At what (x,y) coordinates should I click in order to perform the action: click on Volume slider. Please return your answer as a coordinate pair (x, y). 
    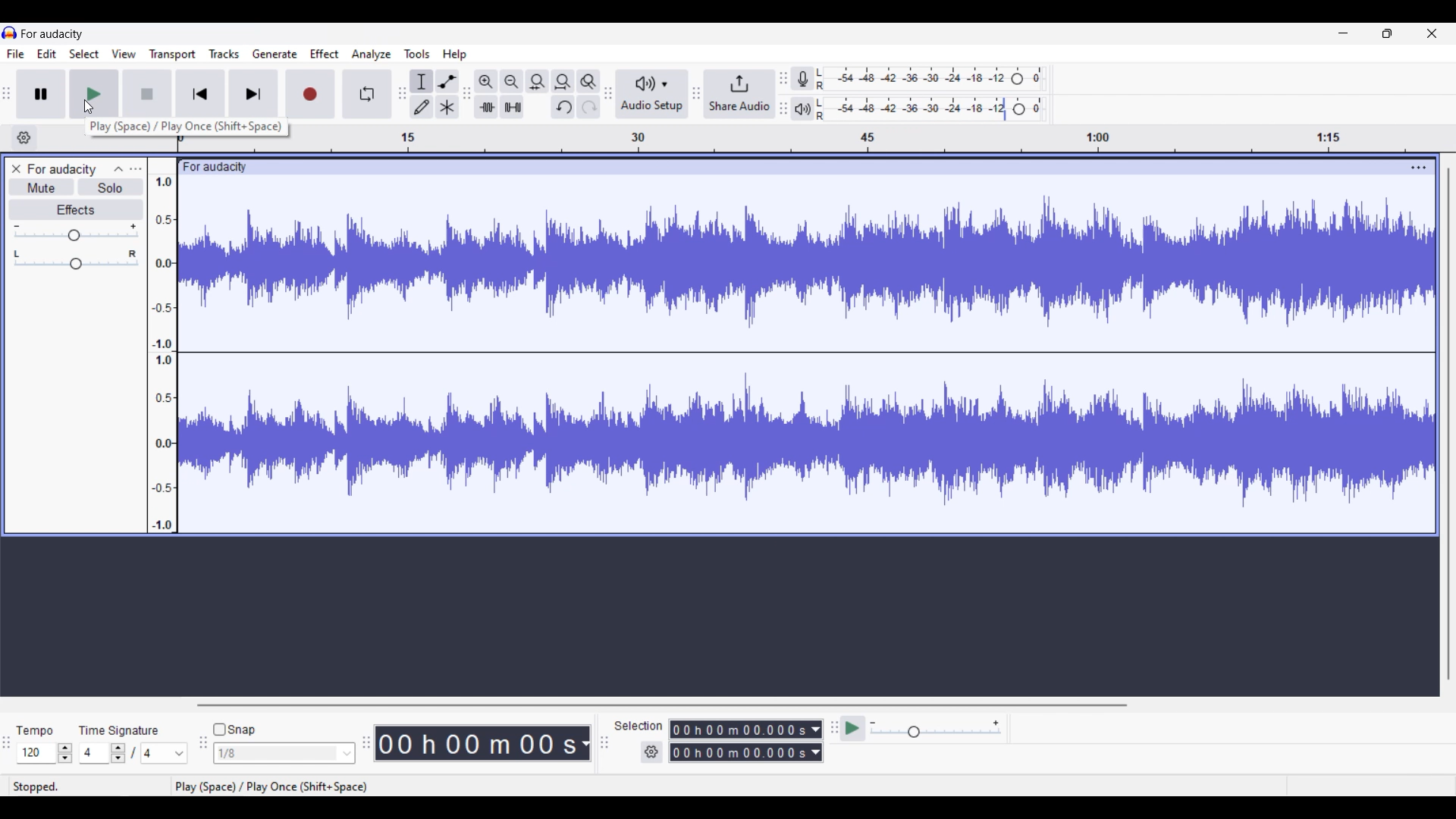
    Looking at the image, I should click on (76, 232).